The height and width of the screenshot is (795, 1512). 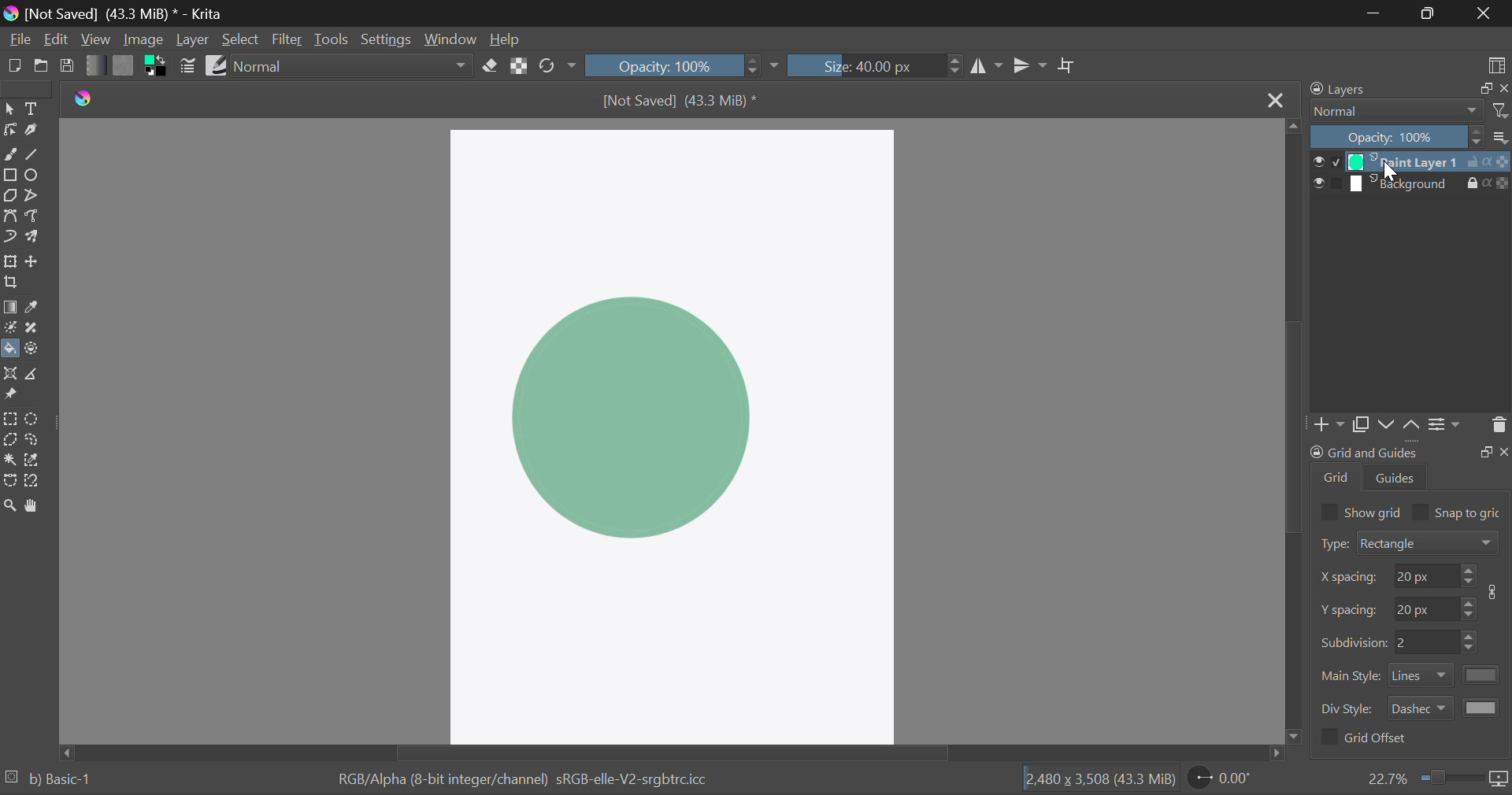 I want to click on View, so click(x=96, y=41).